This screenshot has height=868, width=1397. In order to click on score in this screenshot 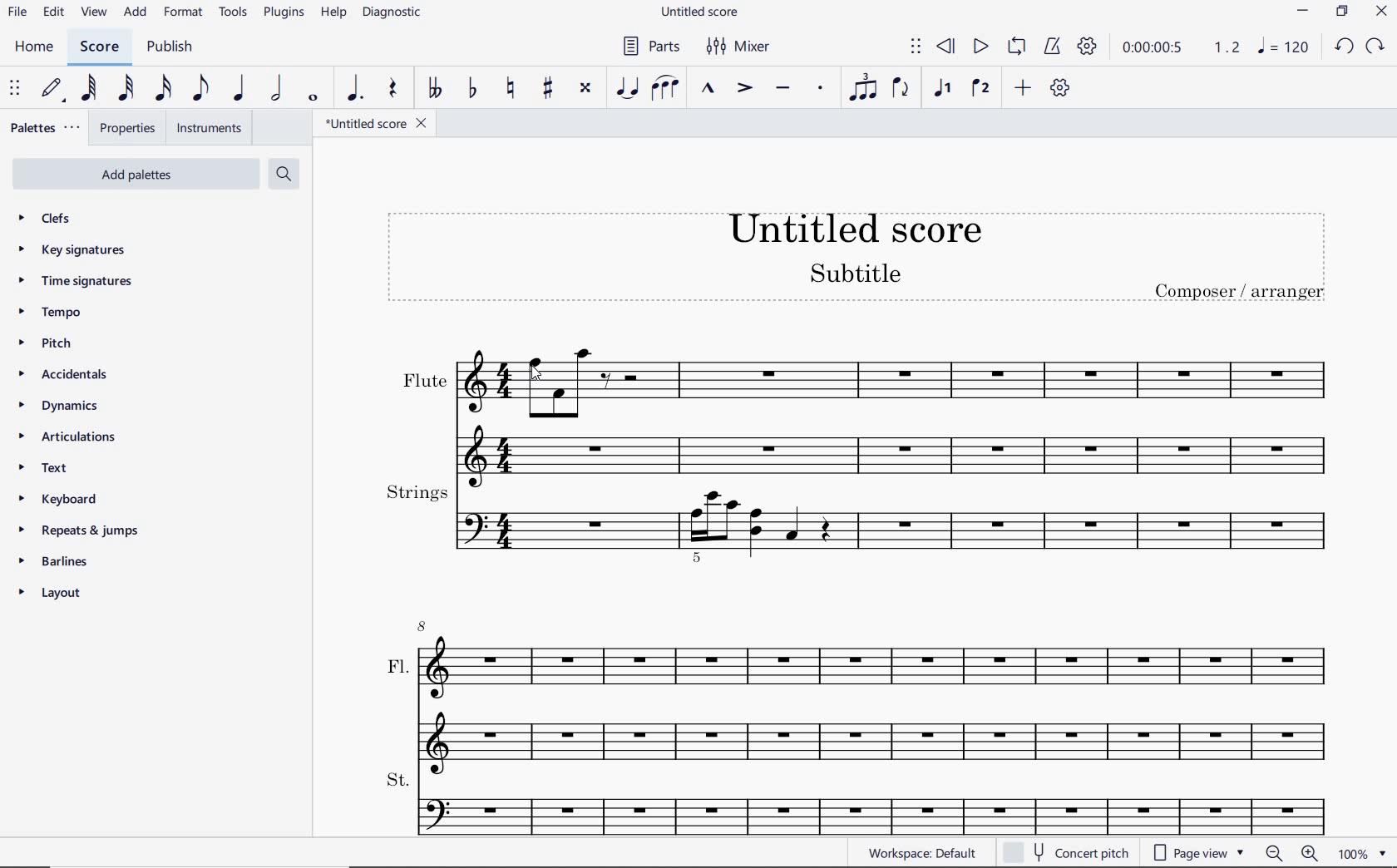, I will do `click(97, 47)`.